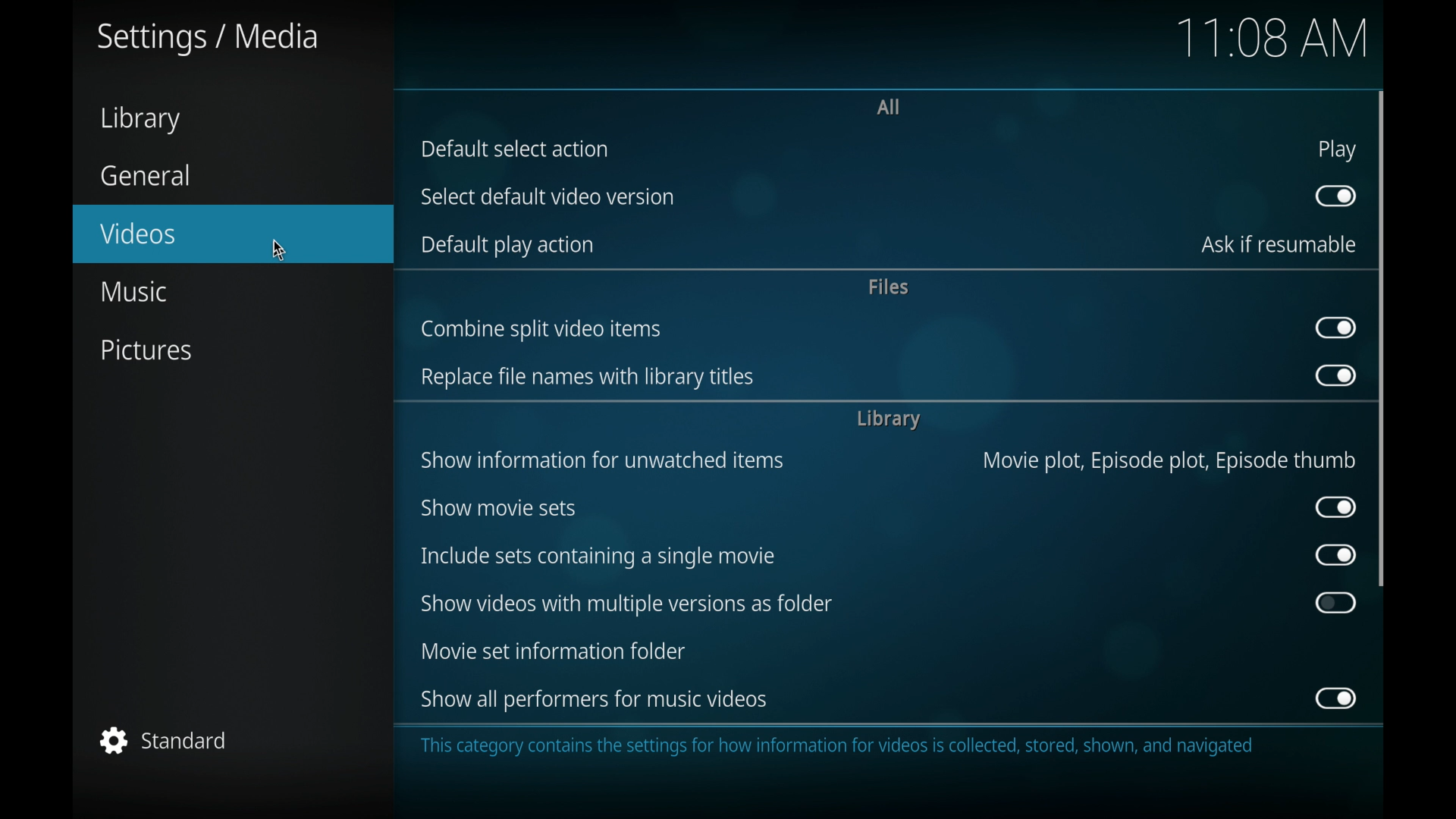 This screenshot has height=819, width=1456. Describe the element at coordinates (1279, 245) in the screenshot. I see `ask if resumable` at that location.